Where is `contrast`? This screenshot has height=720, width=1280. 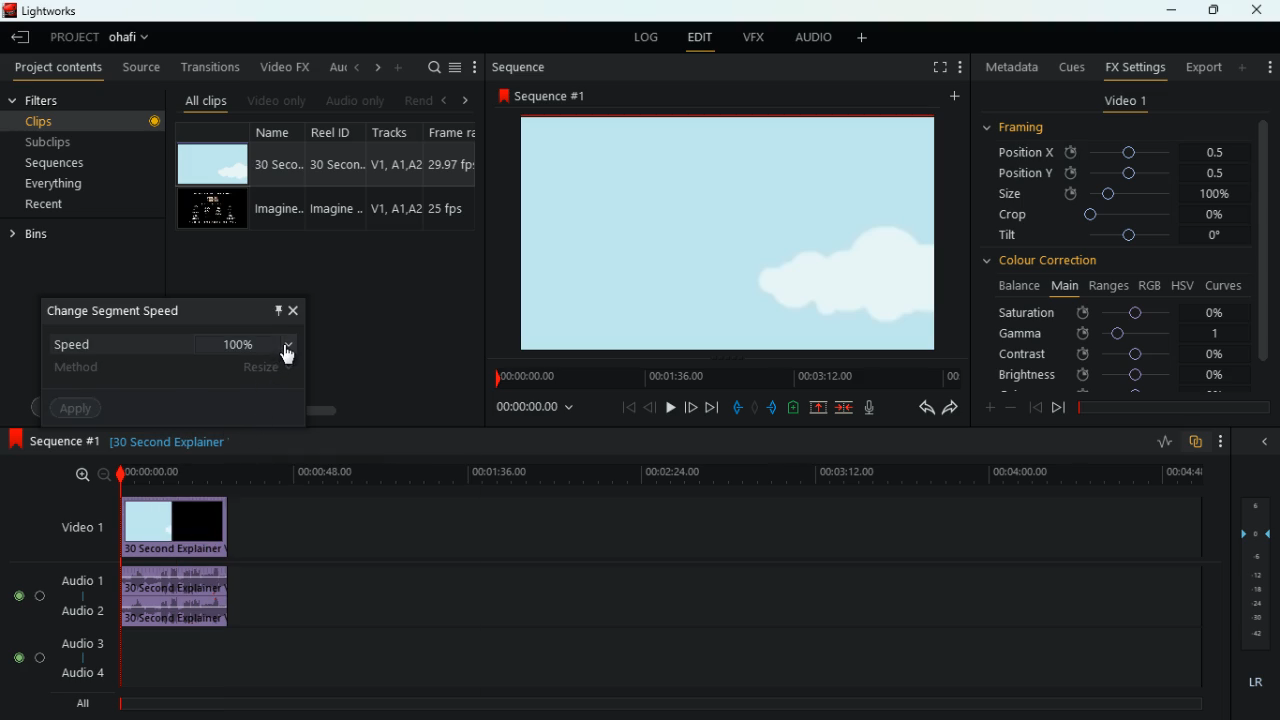 contrast is located at coordinates (1110, 355).